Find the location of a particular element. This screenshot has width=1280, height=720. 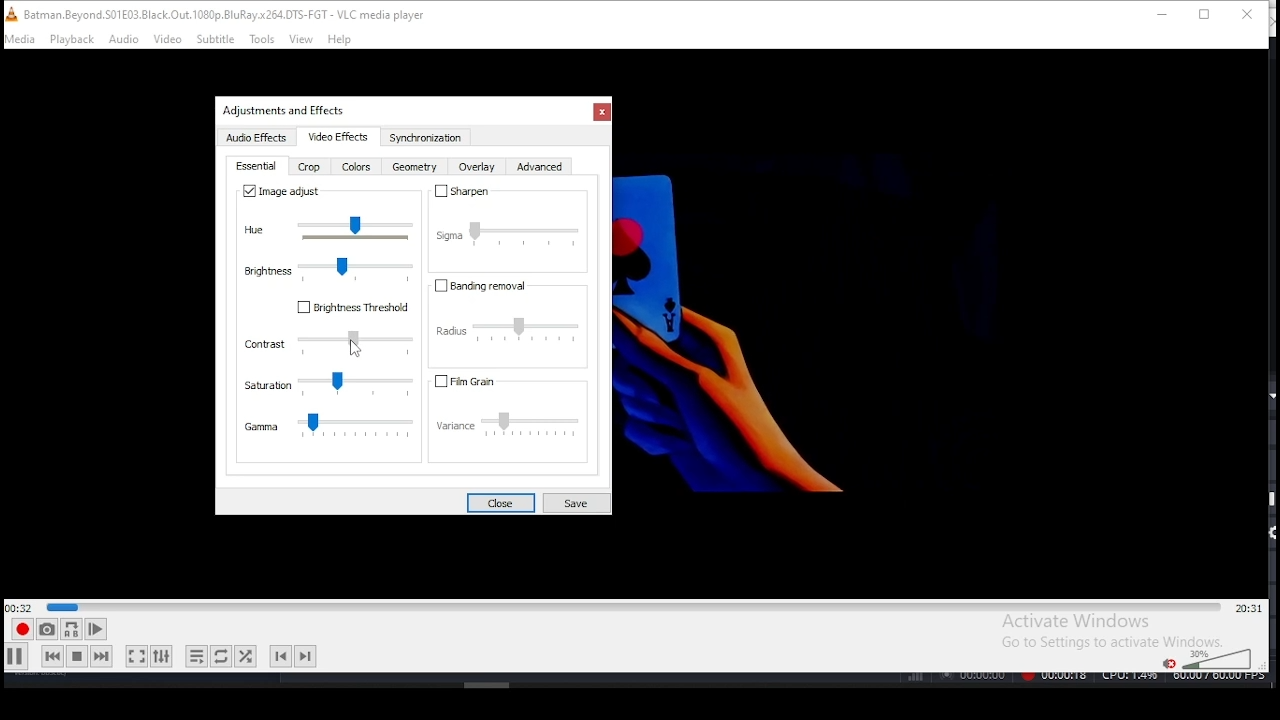

essential is located at coordinates (258, 167).